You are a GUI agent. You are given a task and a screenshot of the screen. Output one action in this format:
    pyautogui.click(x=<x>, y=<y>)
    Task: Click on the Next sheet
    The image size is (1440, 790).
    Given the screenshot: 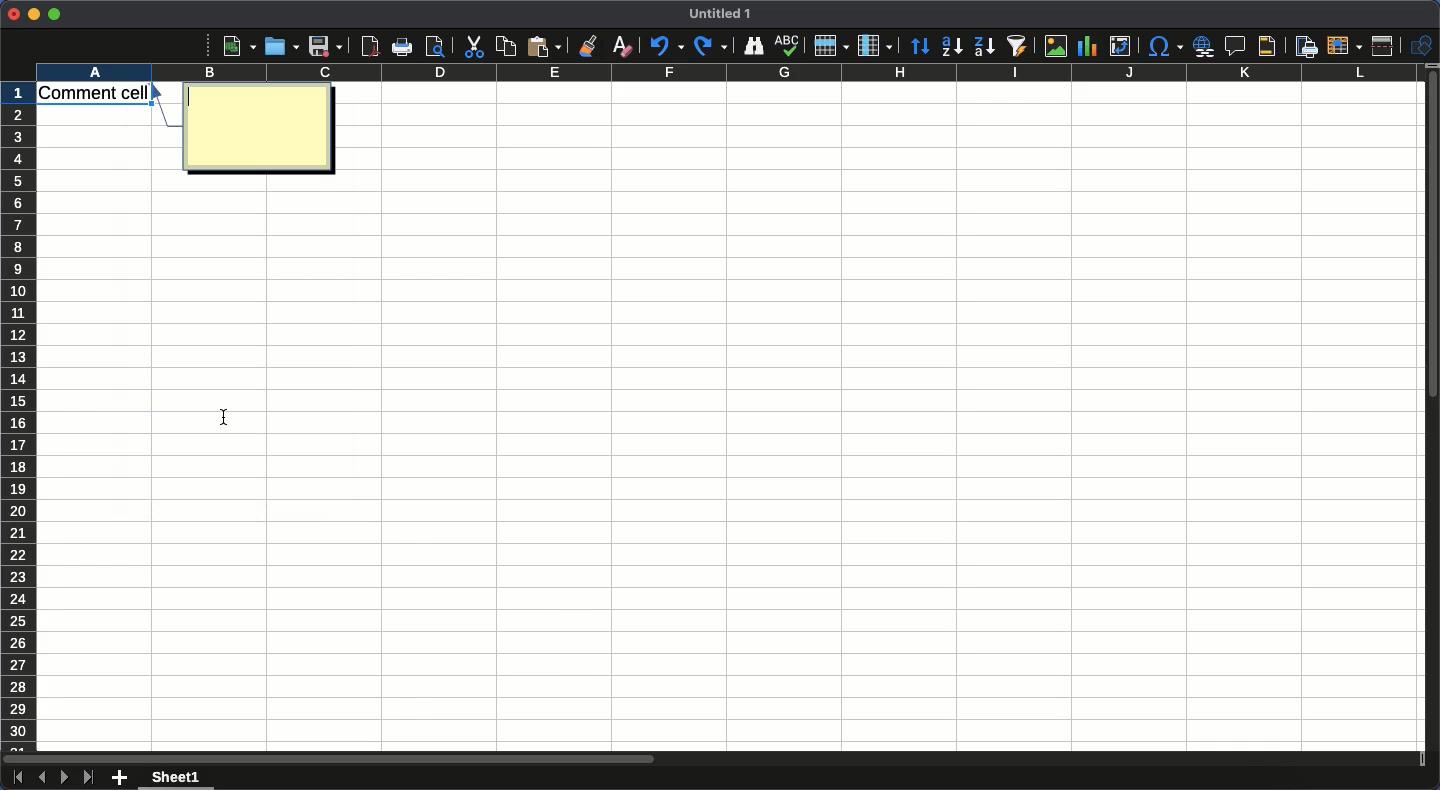 What is the action you would take?
    pyautogui.click(x=65, y=776)
    